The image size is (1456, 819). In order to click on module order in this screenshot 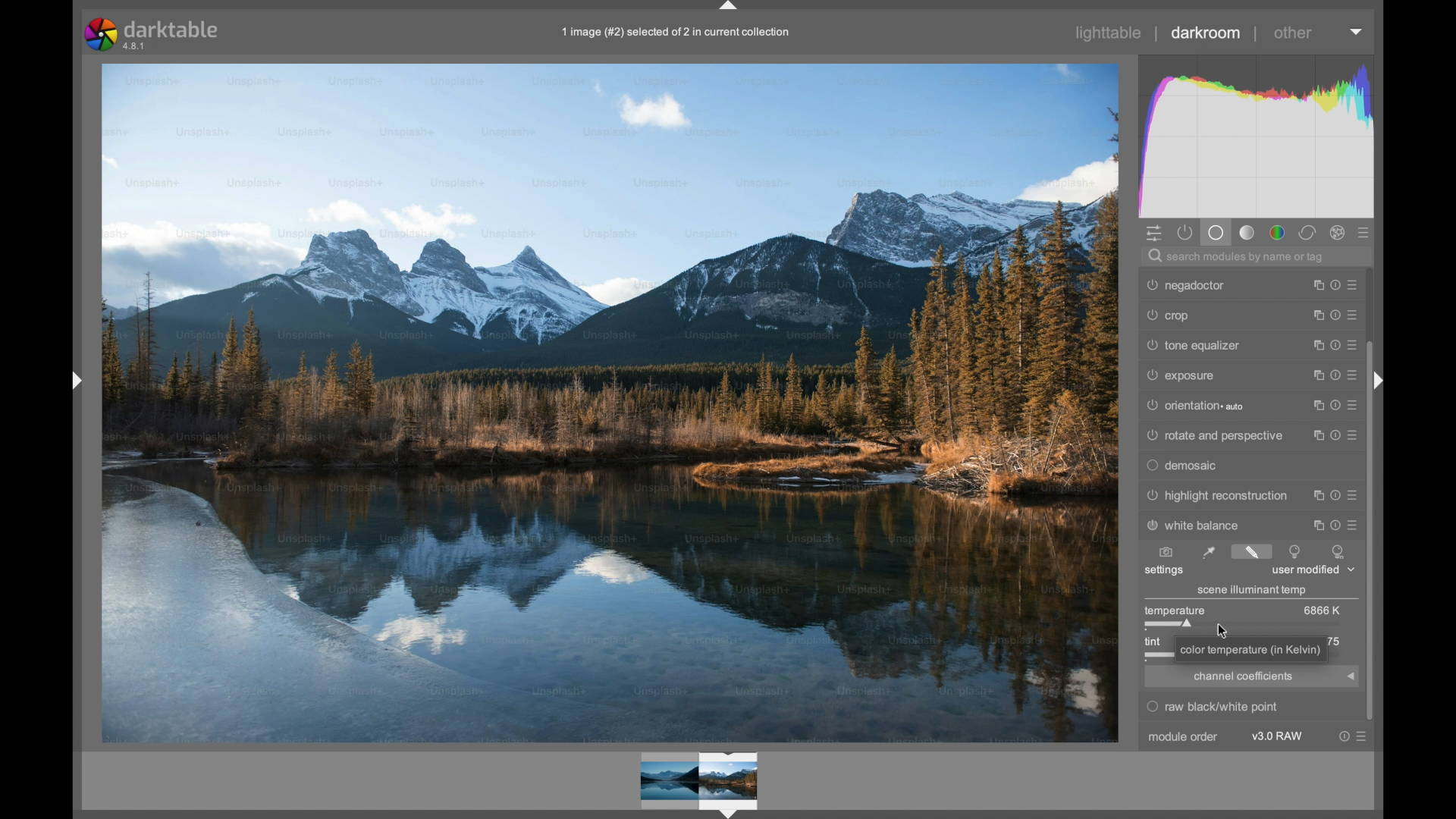, I will do `click(1184, 738)`.